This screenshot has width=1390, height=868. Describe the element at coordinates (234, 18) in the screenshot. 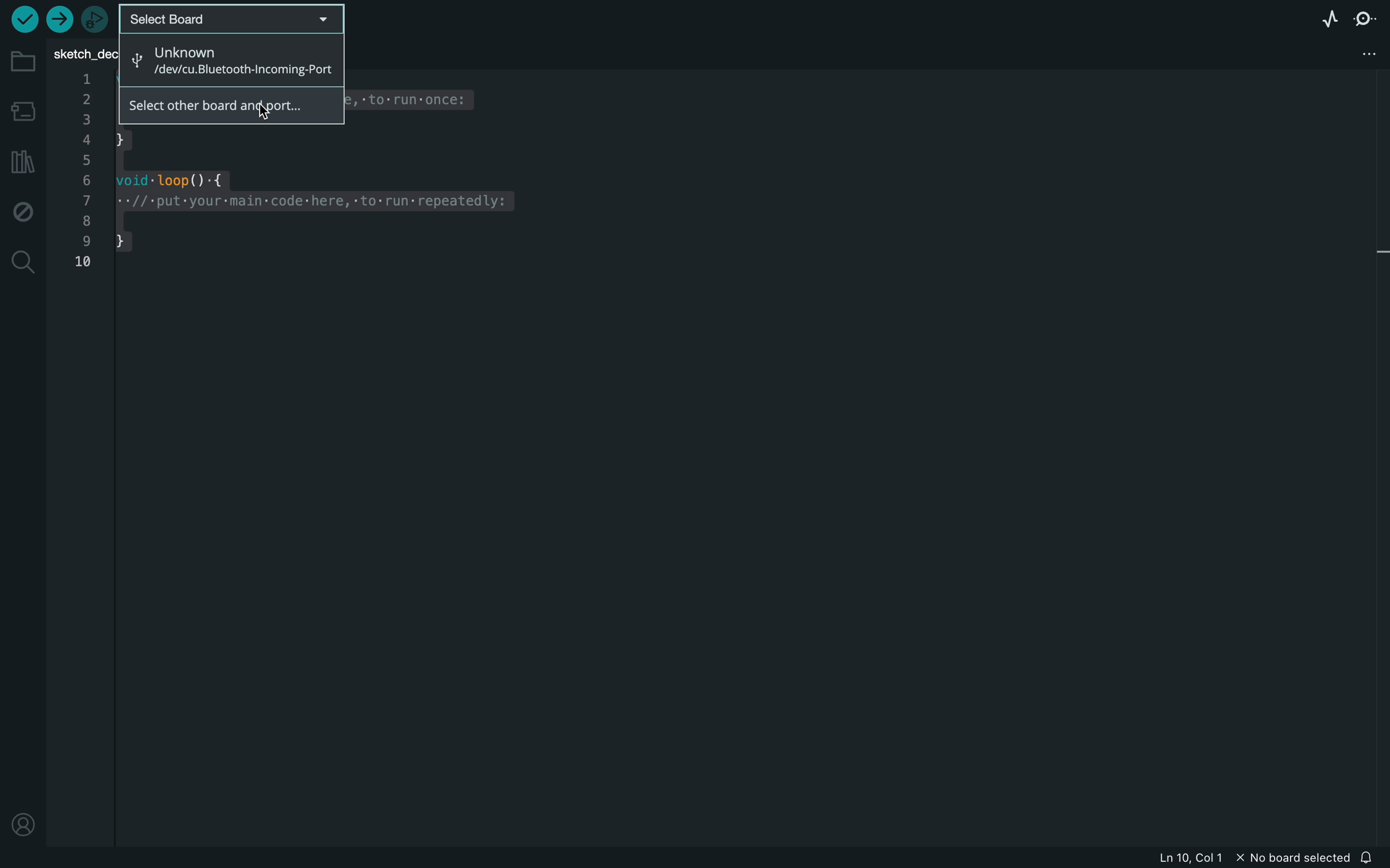

I see `board selecter` at that location.